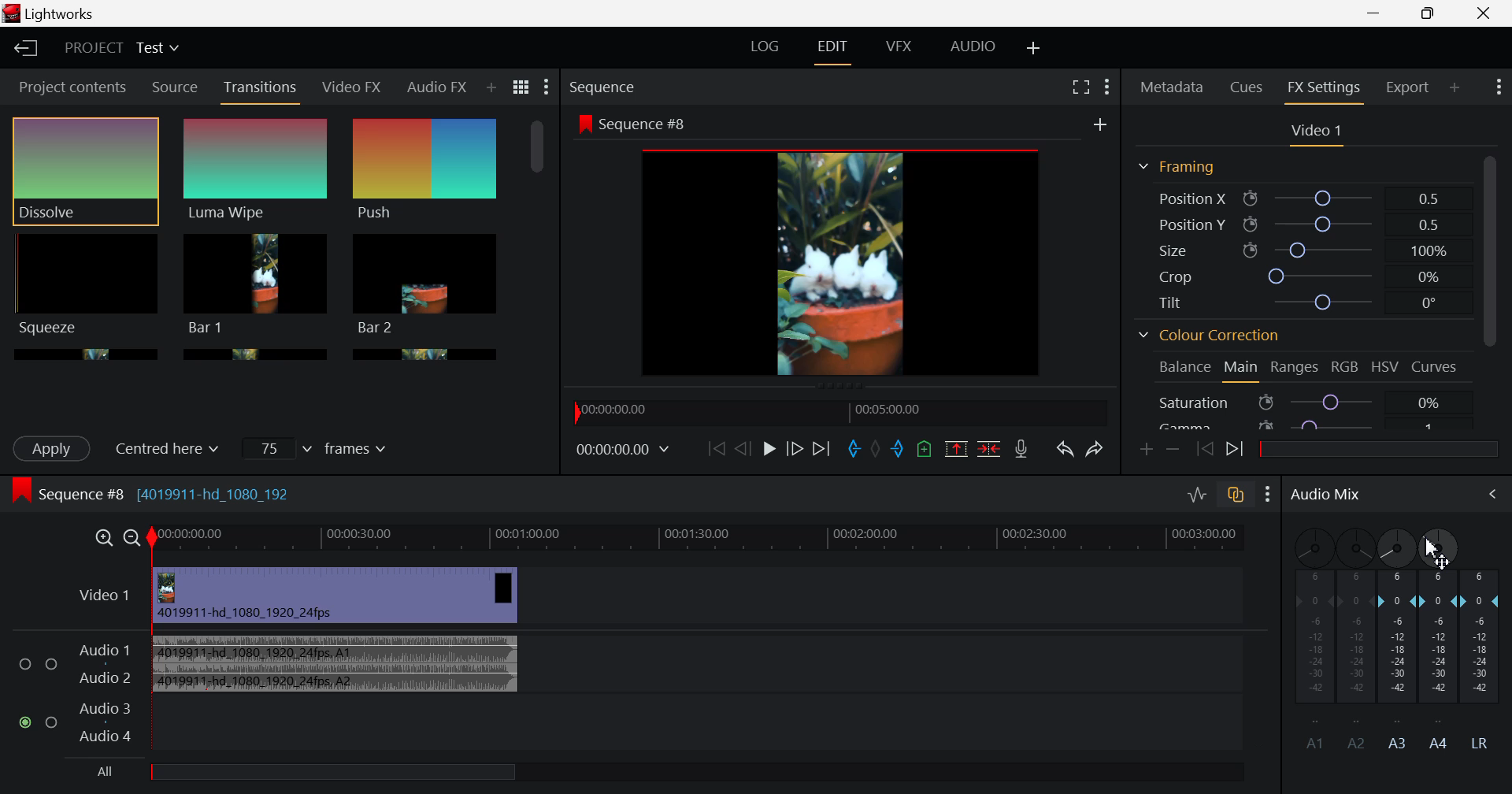  I want to click on Squeeze, so click(84, 284).